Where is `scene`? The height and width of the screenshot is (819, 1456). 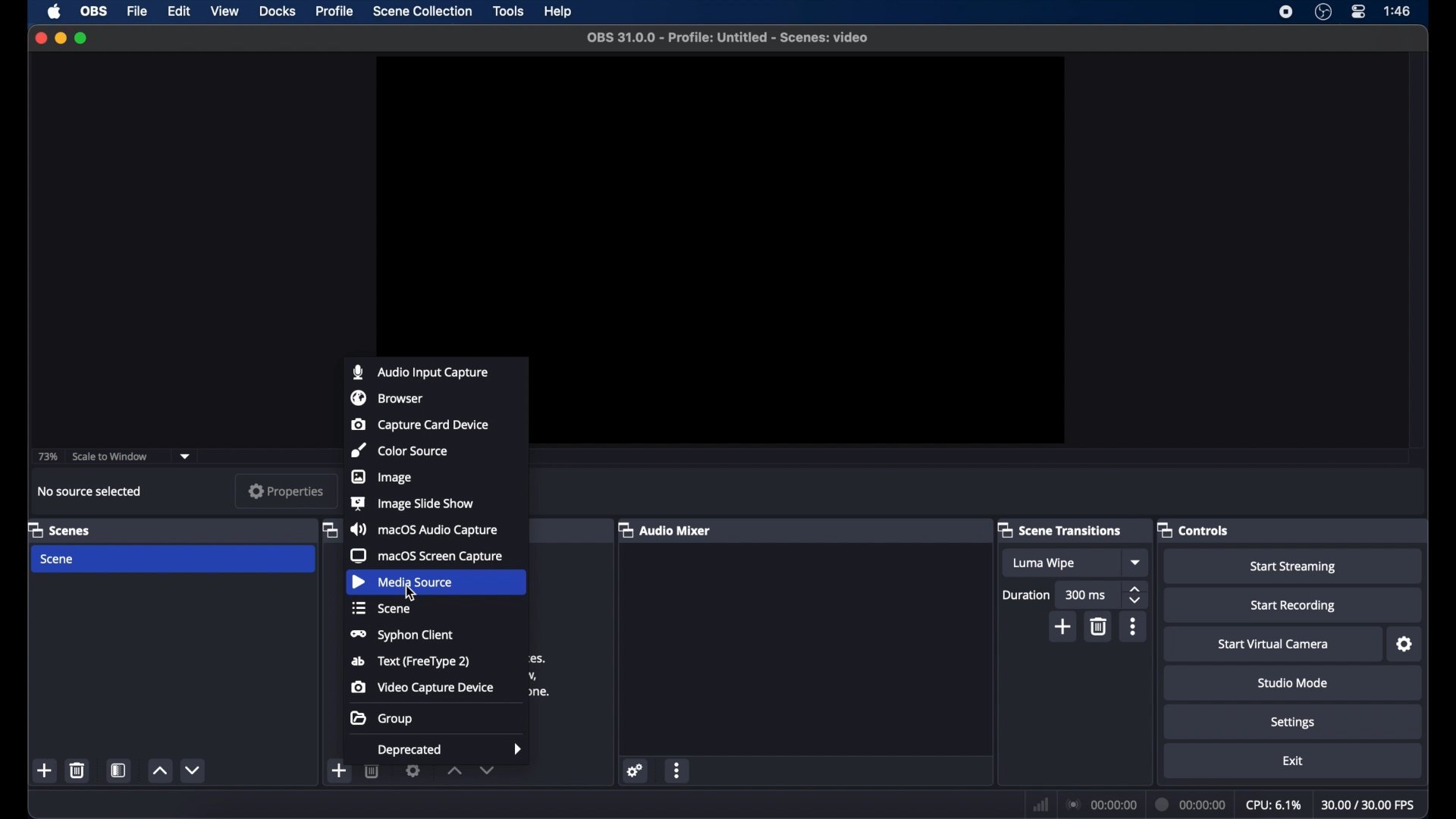 scene is located at coordinates (58, 560).